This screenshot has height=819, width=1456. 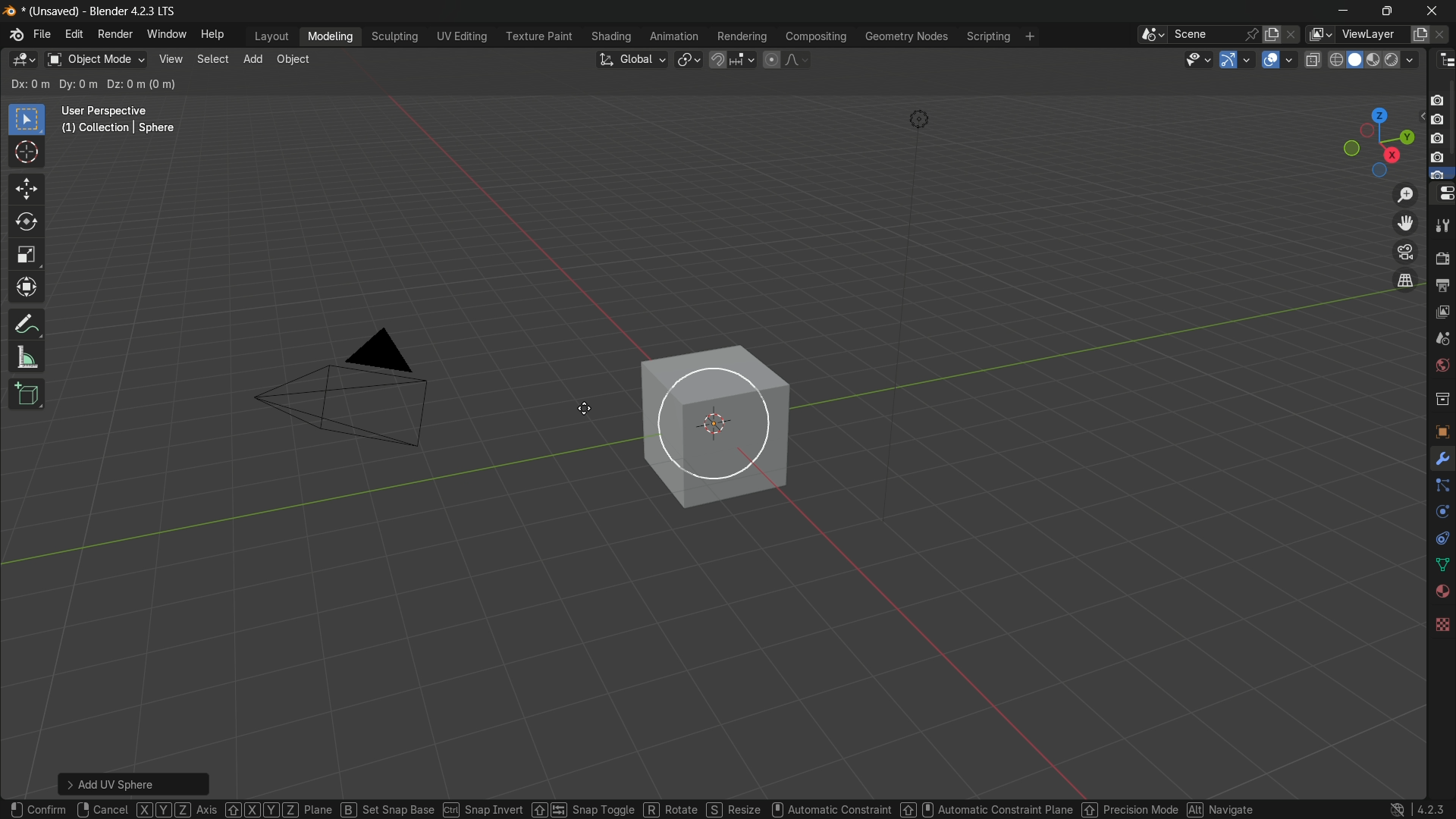 I want to click on select box, so click(x=27, y=120).